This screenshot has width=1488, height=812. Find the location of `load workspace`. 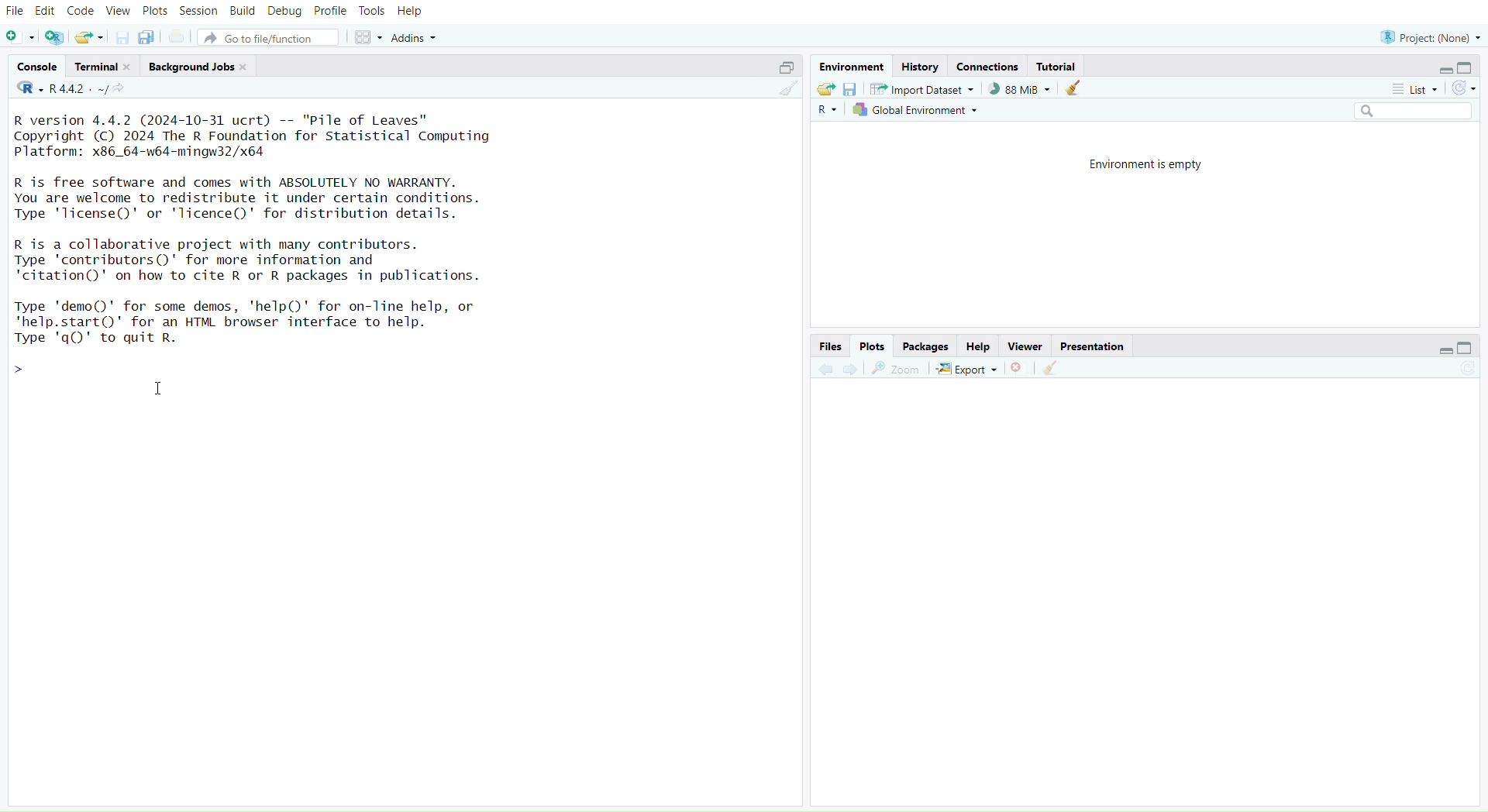

load workspace is located at coordinates (825, 88).